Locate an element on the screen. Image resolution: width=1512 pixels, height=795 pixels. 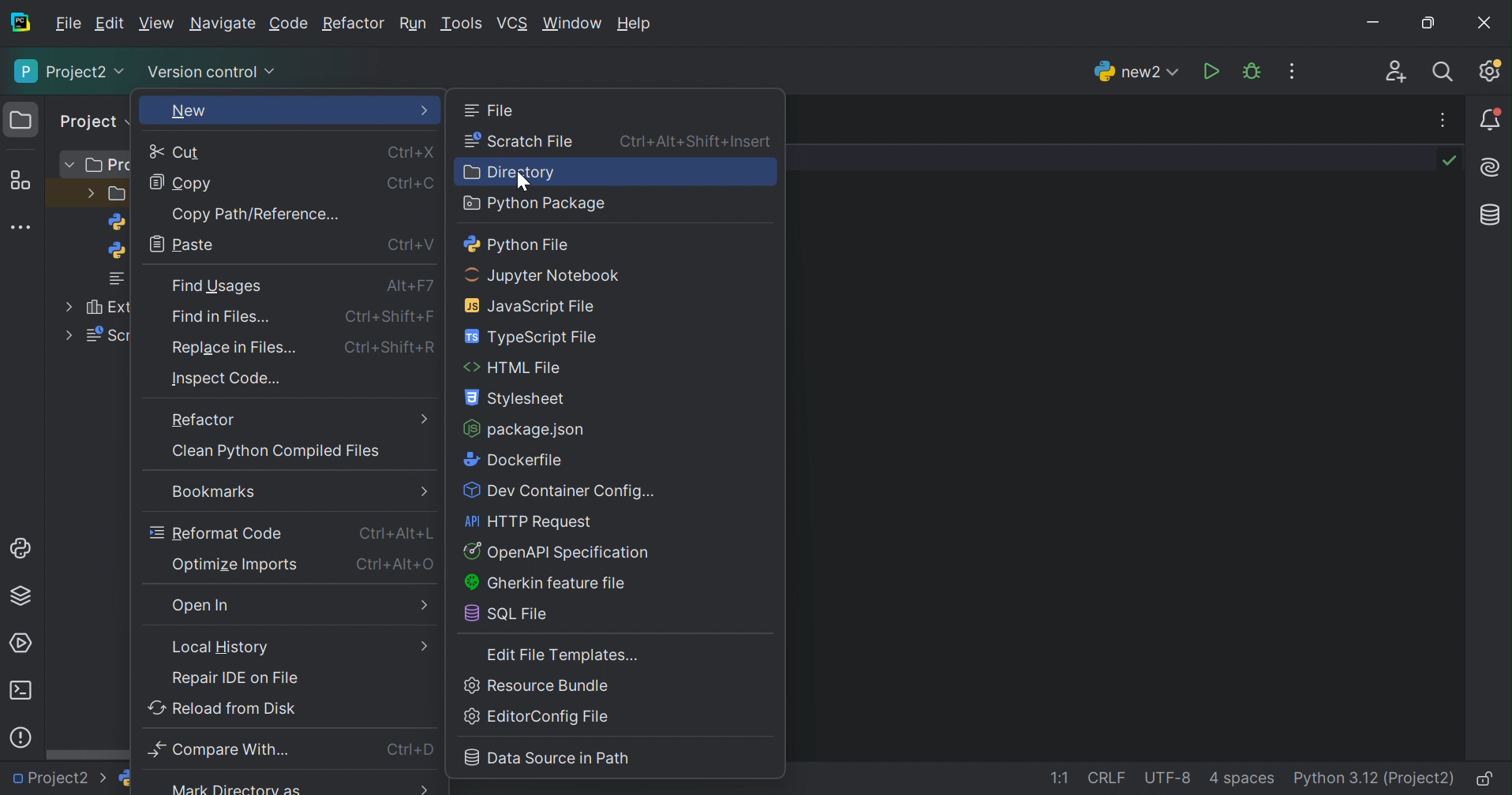
Scroll bar is located at coordinates (89, 755).